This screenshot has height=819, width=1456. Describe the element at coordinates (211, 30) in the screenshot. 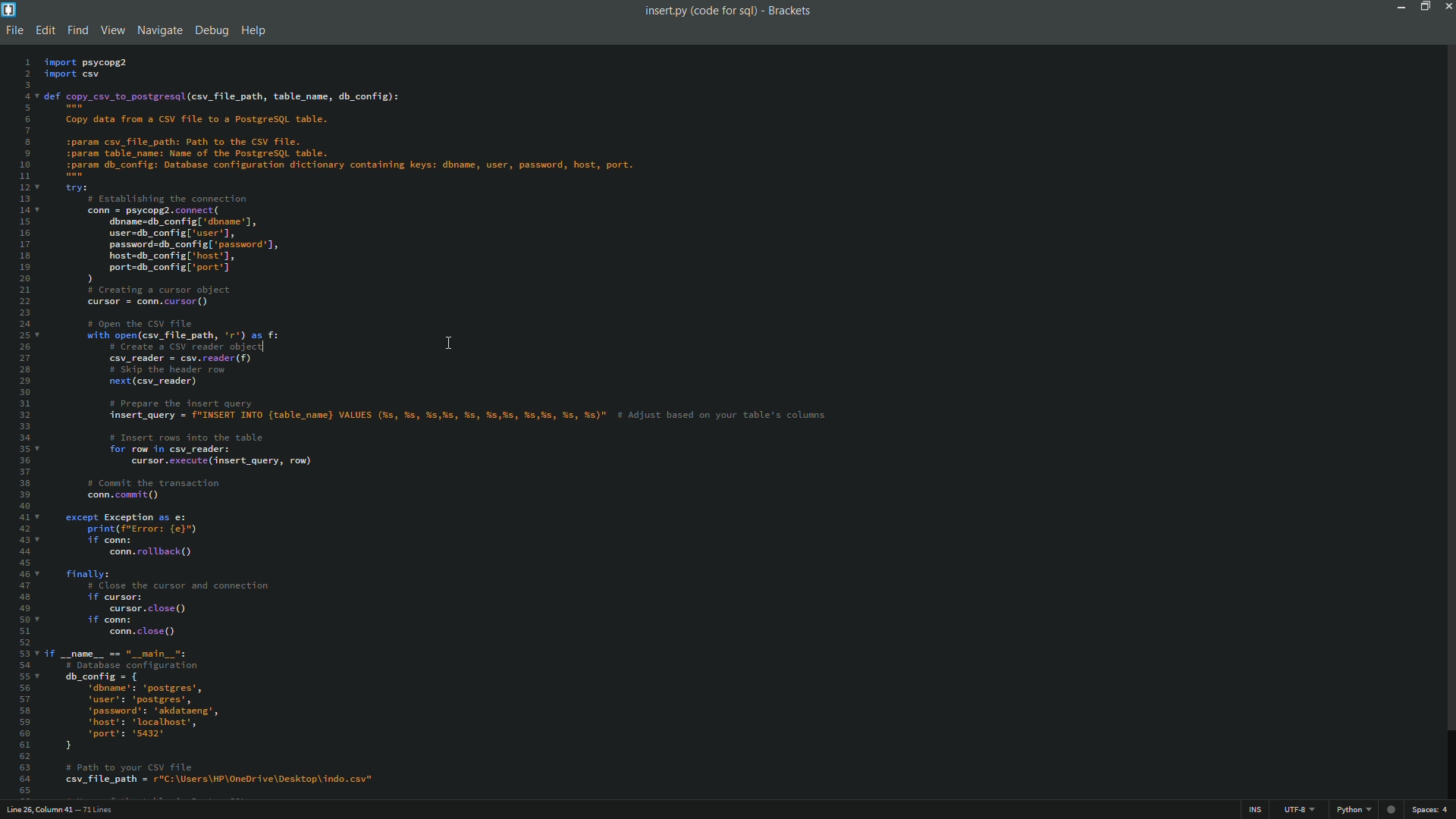

I see `debug menu` at that location.